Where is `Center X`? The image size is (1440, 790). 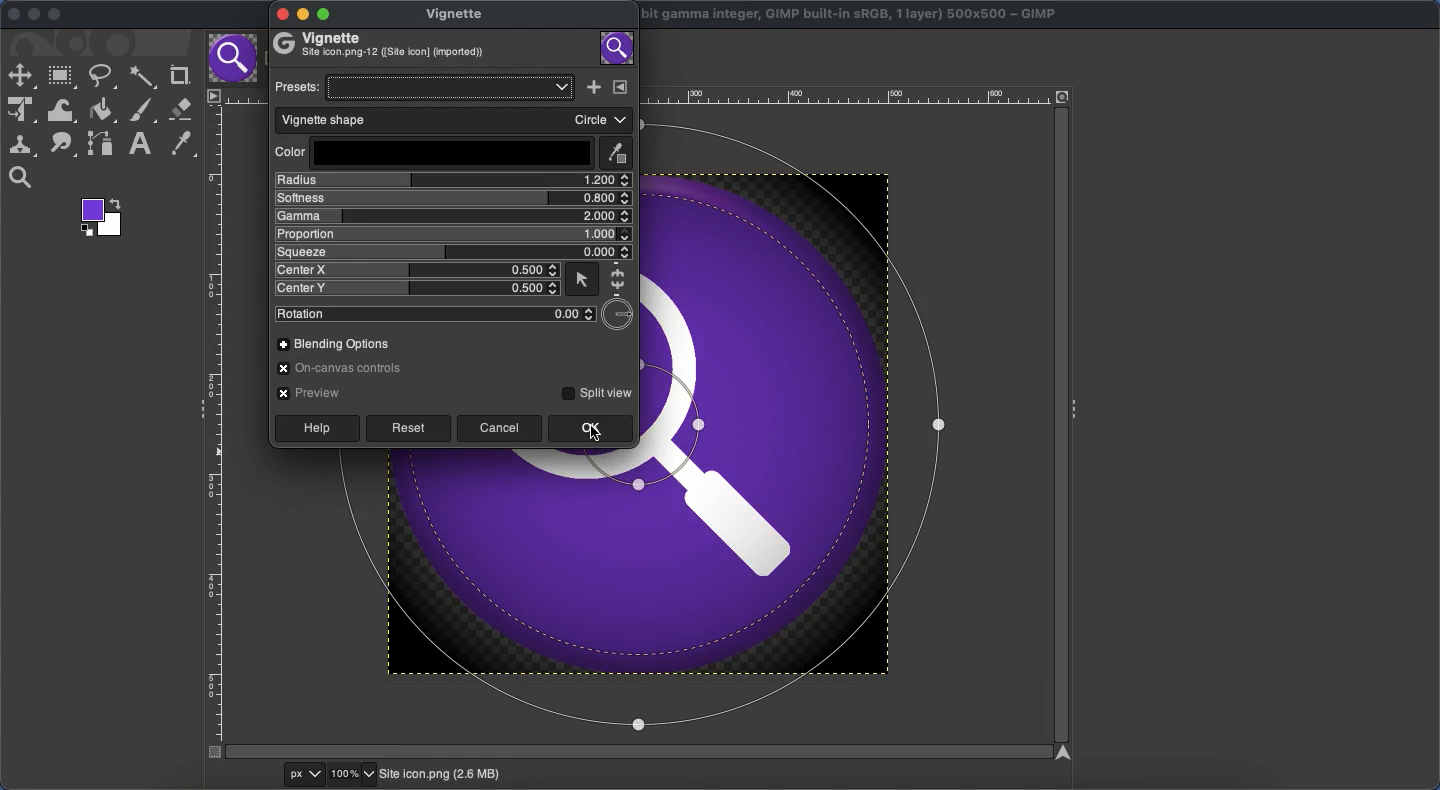 Center X is located at coordinates (418, 270).